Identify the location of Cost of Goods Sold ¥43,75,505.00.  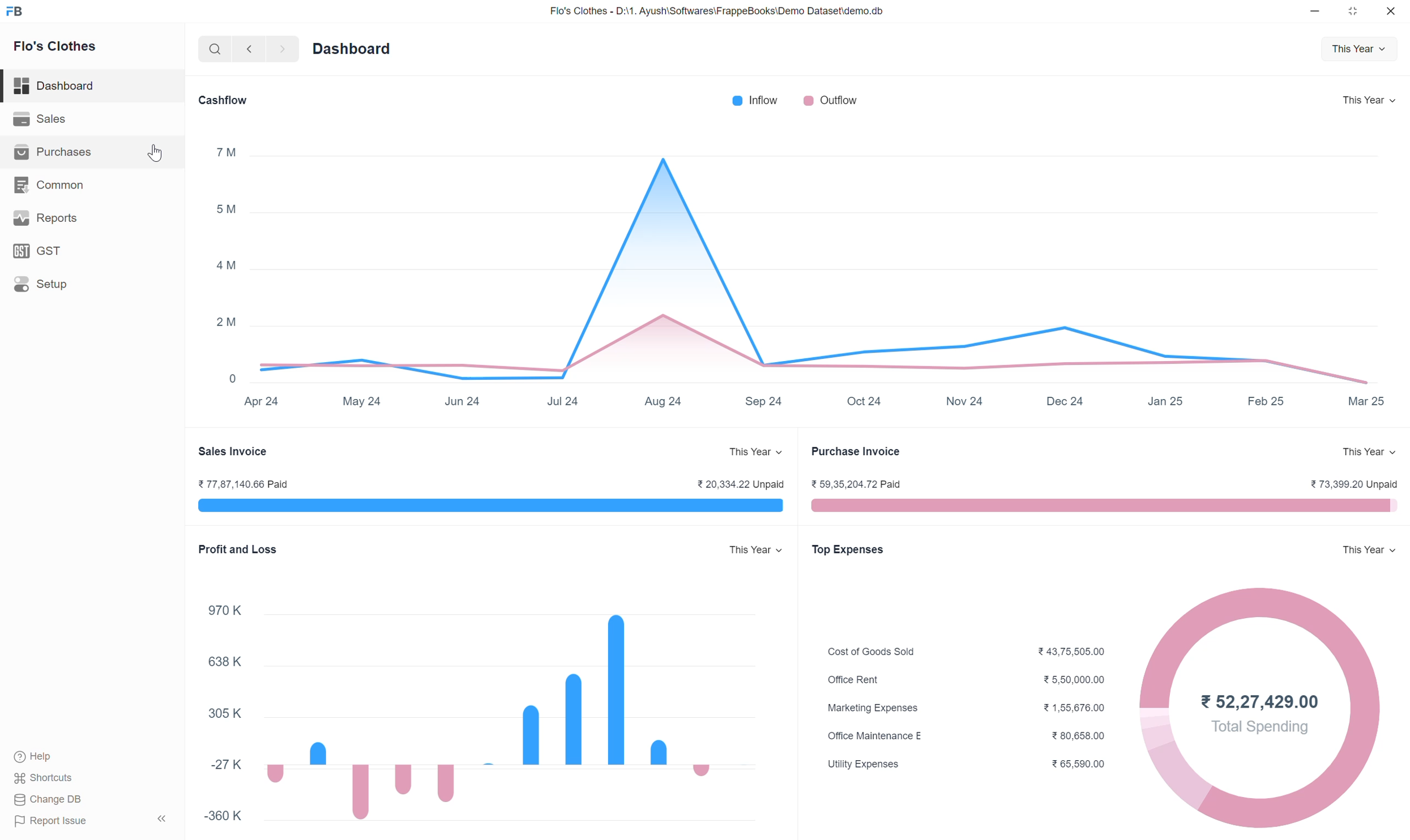
(954, 651).